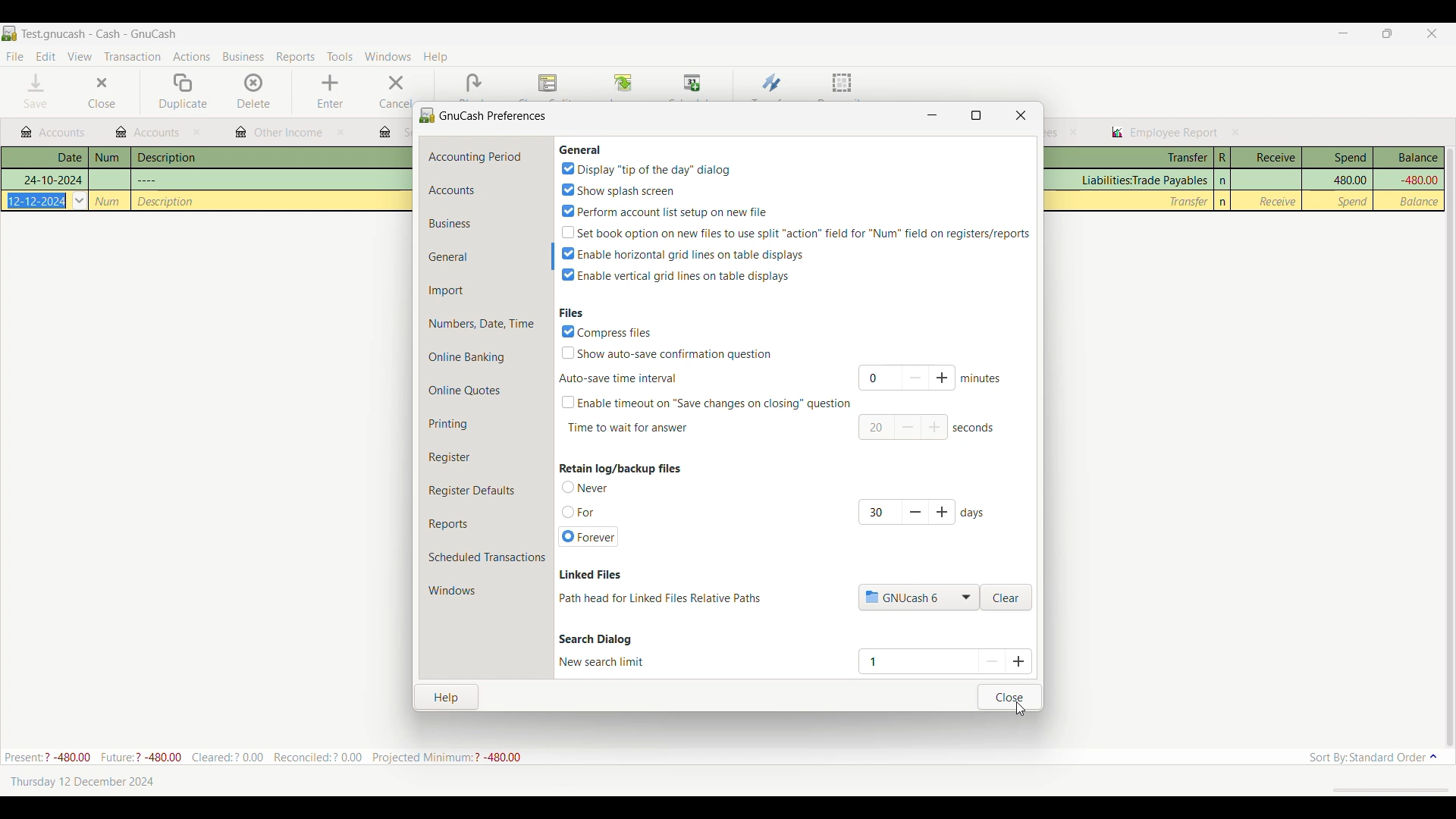  I want to click on Reports, so click(486, 524).